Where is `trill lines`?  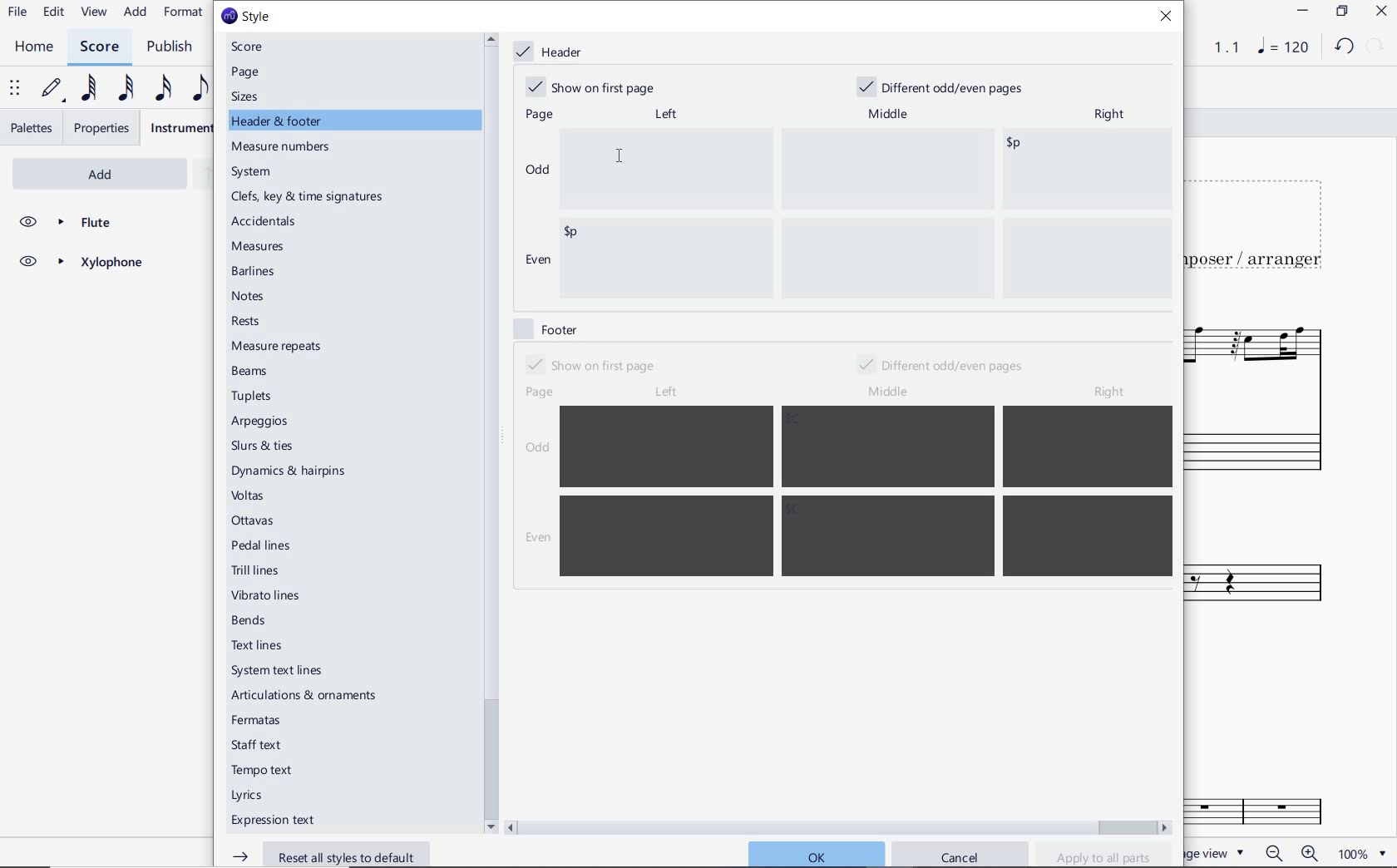
trill lines is located at coordinates (256, 570).